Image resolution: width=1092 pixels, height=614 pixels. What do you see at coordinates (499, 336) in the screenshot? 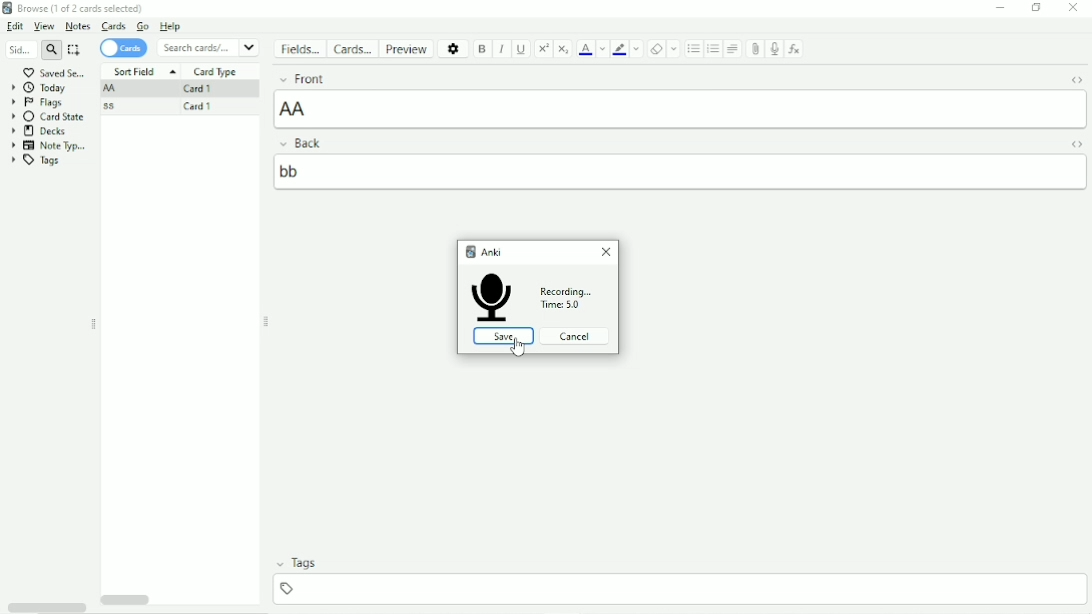
I see `Save` at bounding box center [499, 336].